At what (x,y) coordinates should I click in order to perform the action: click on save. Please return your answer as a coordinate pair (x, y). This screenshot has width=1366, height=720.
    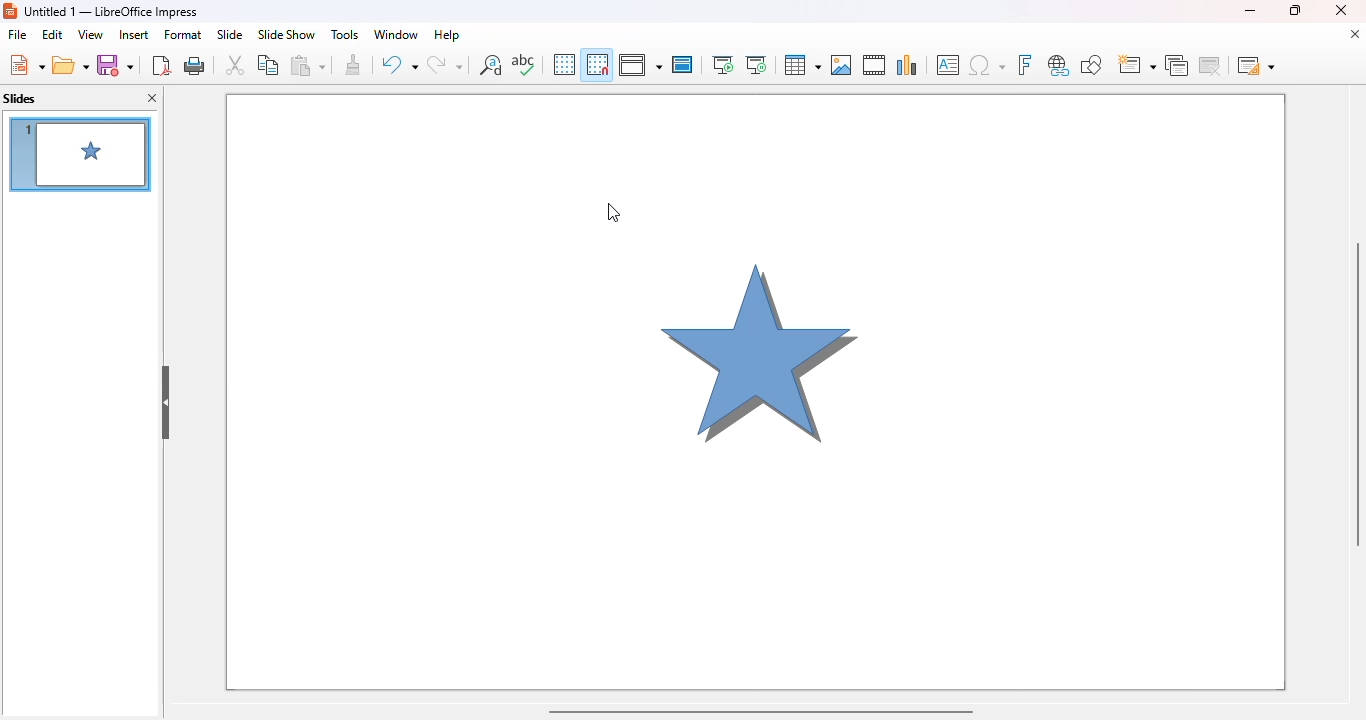
    Looking at the image, I should click on (114, 64).